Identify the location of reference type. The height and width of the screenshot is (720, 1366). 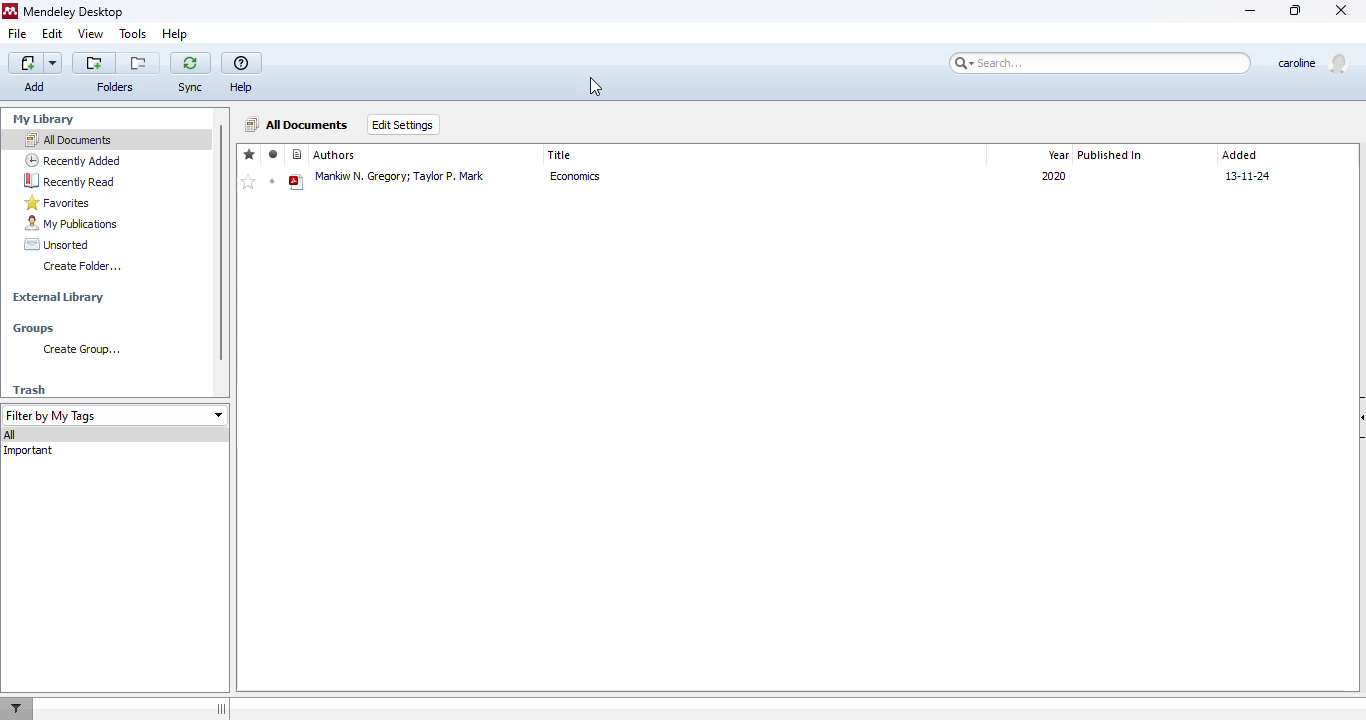
(298, 155).